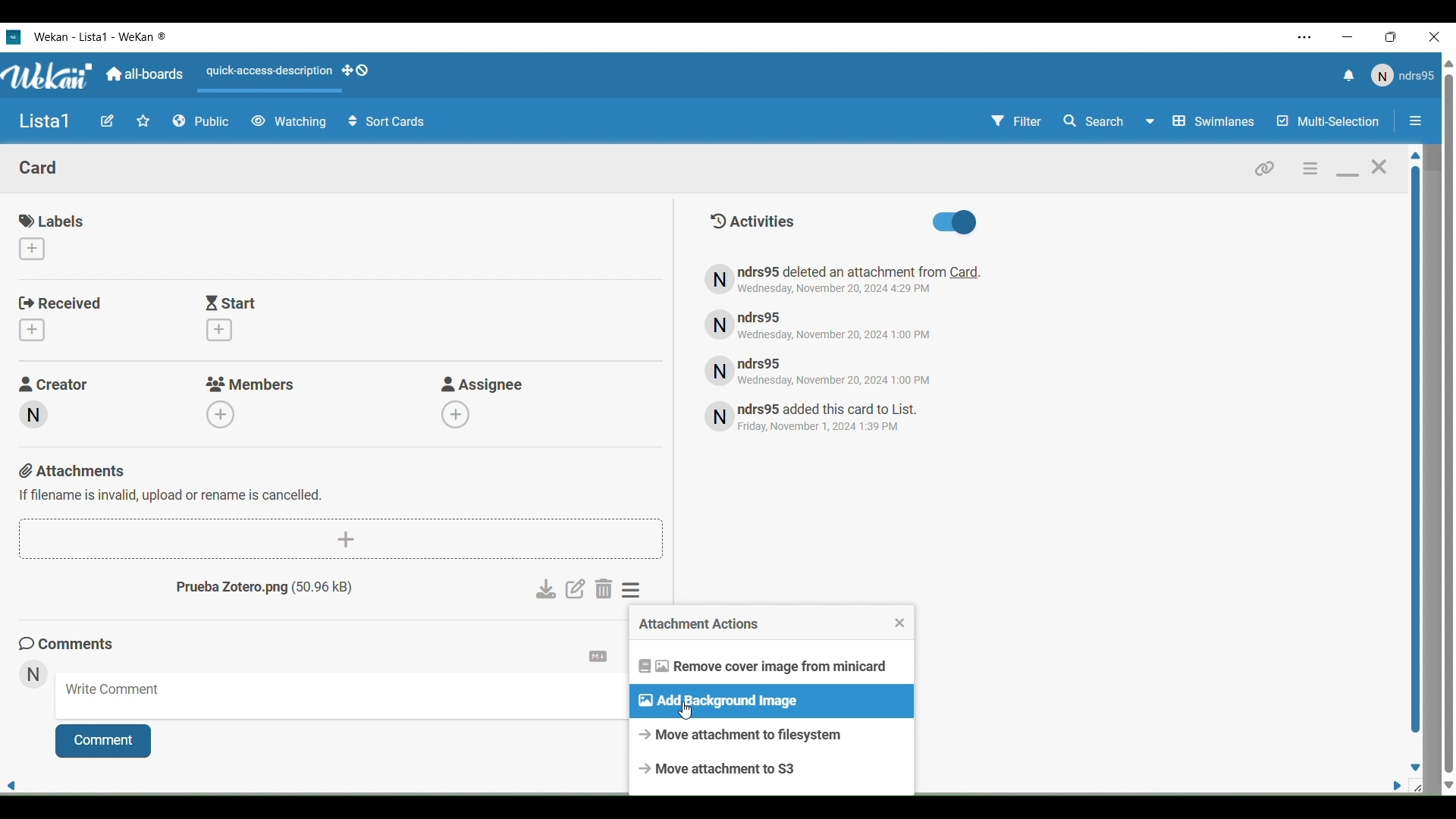 Image resolution: width=1456 pixels, height=819 pixels. I want to click on Maximize, so click(1395, 38).